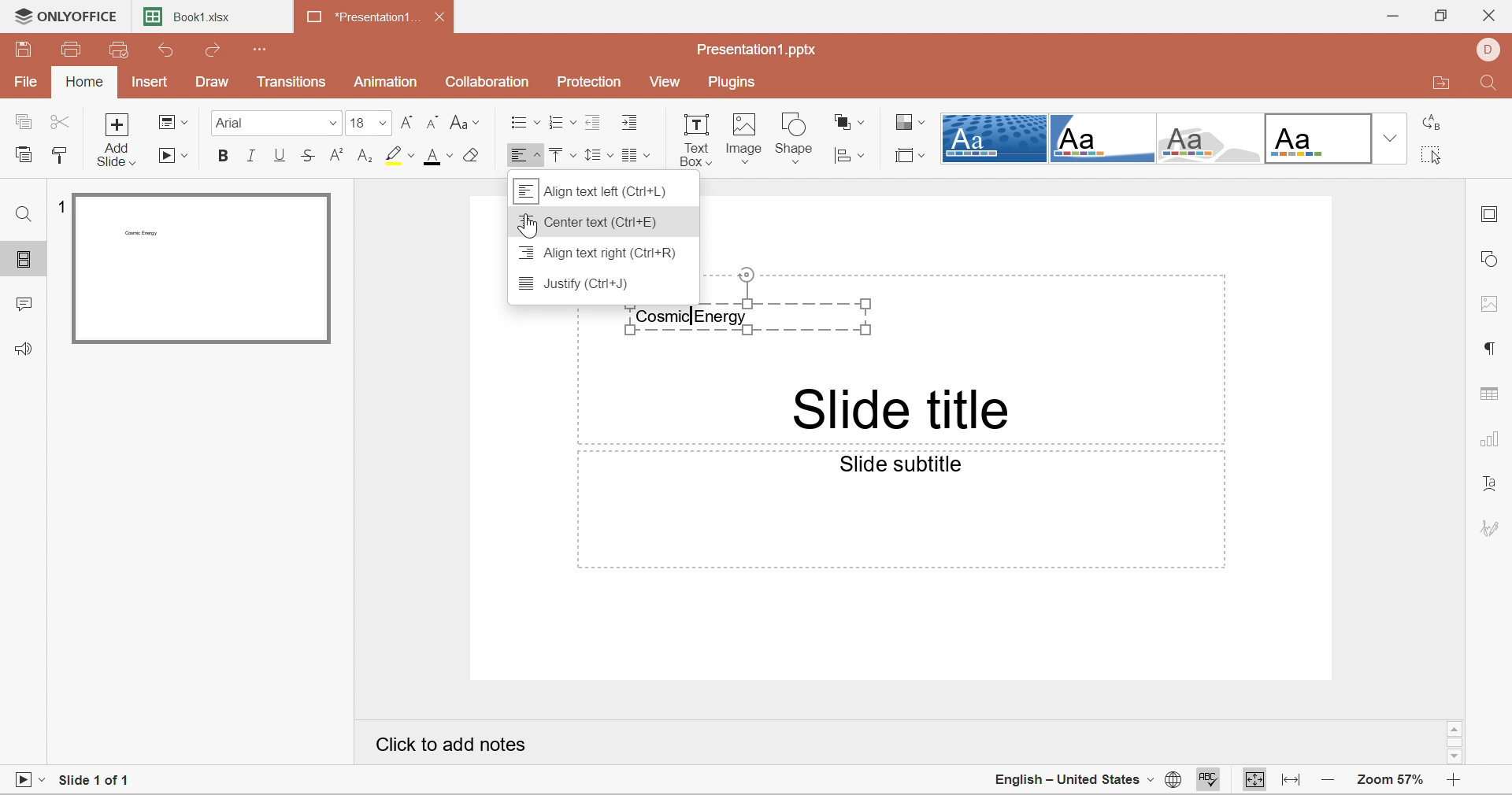 The image size is (1512, 795). Describe the element at coordinates (22, 123) in the screenshot. I see `Copy` at that location.